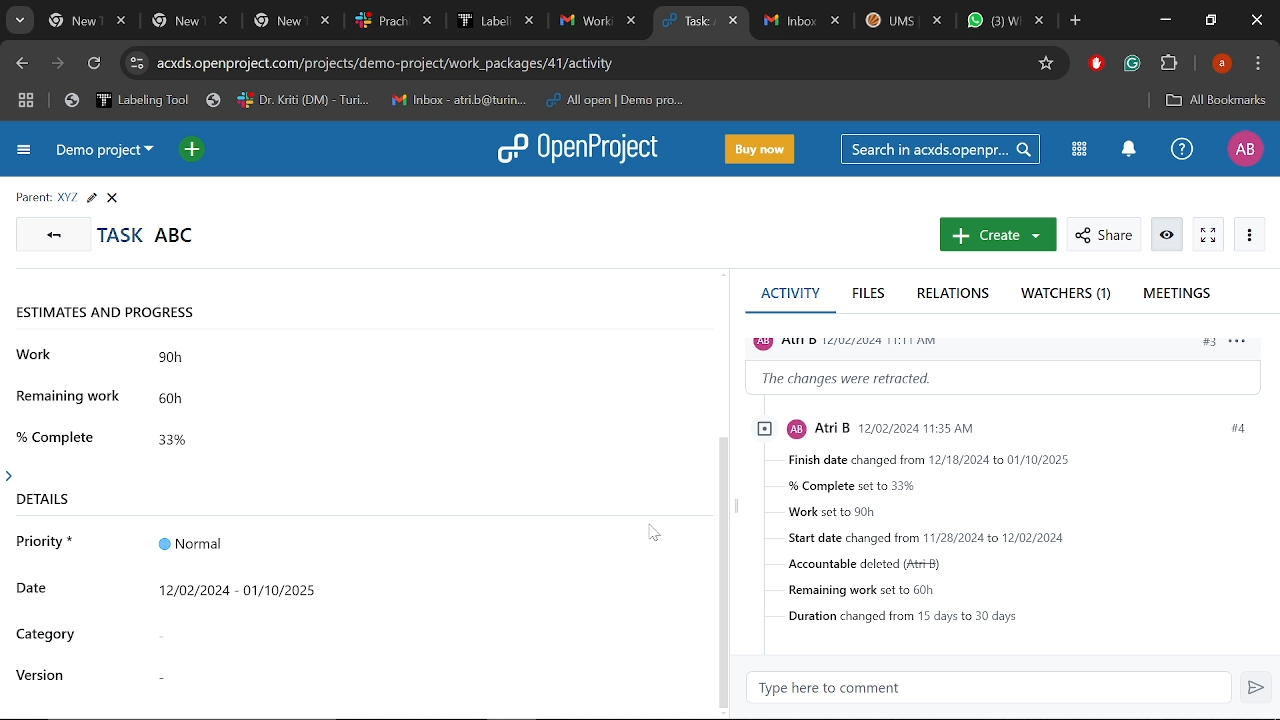 The image size is (1280, 720). What do you see at coordinates (18, 21) in the screenshot?
I see `Search tabs` at bounding box center [18, 21].